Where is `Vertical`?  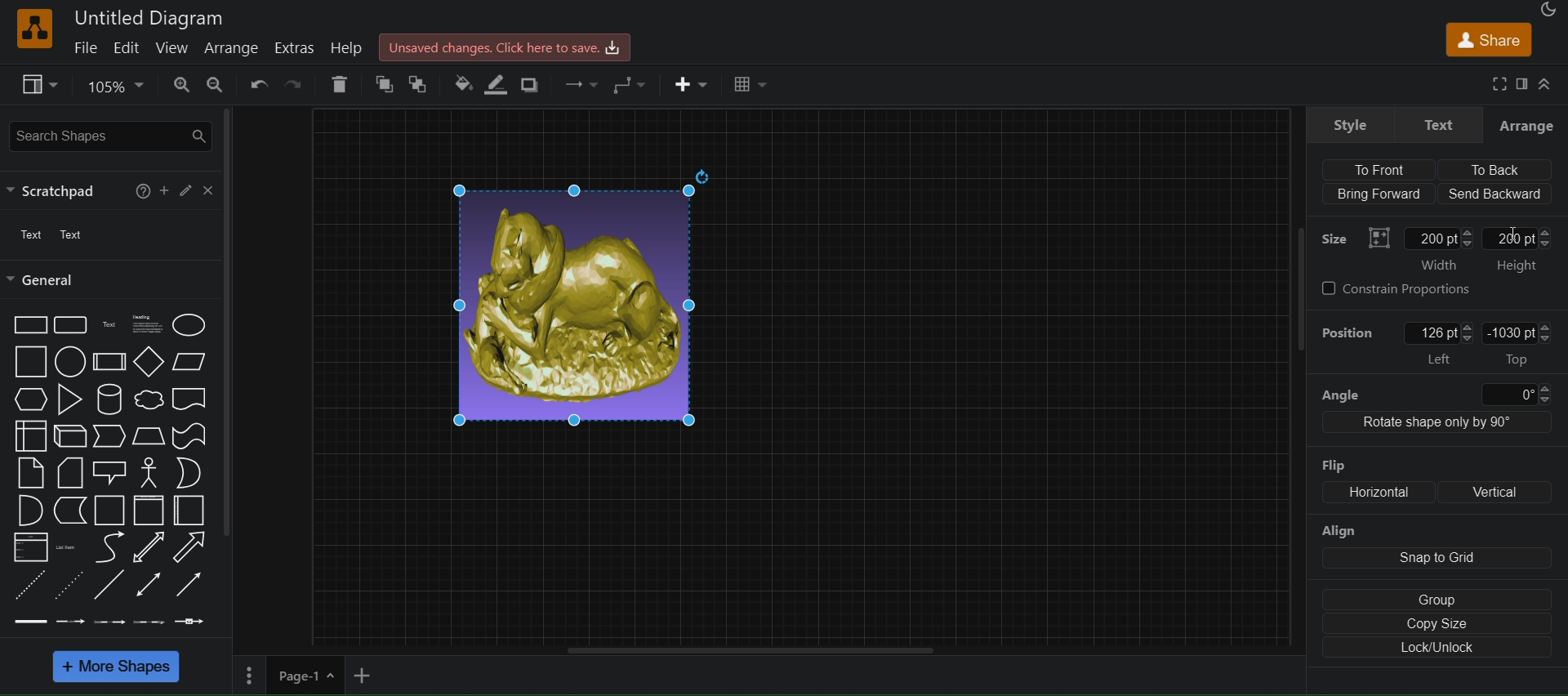
Vertical is located at coordinates (1501, 490).